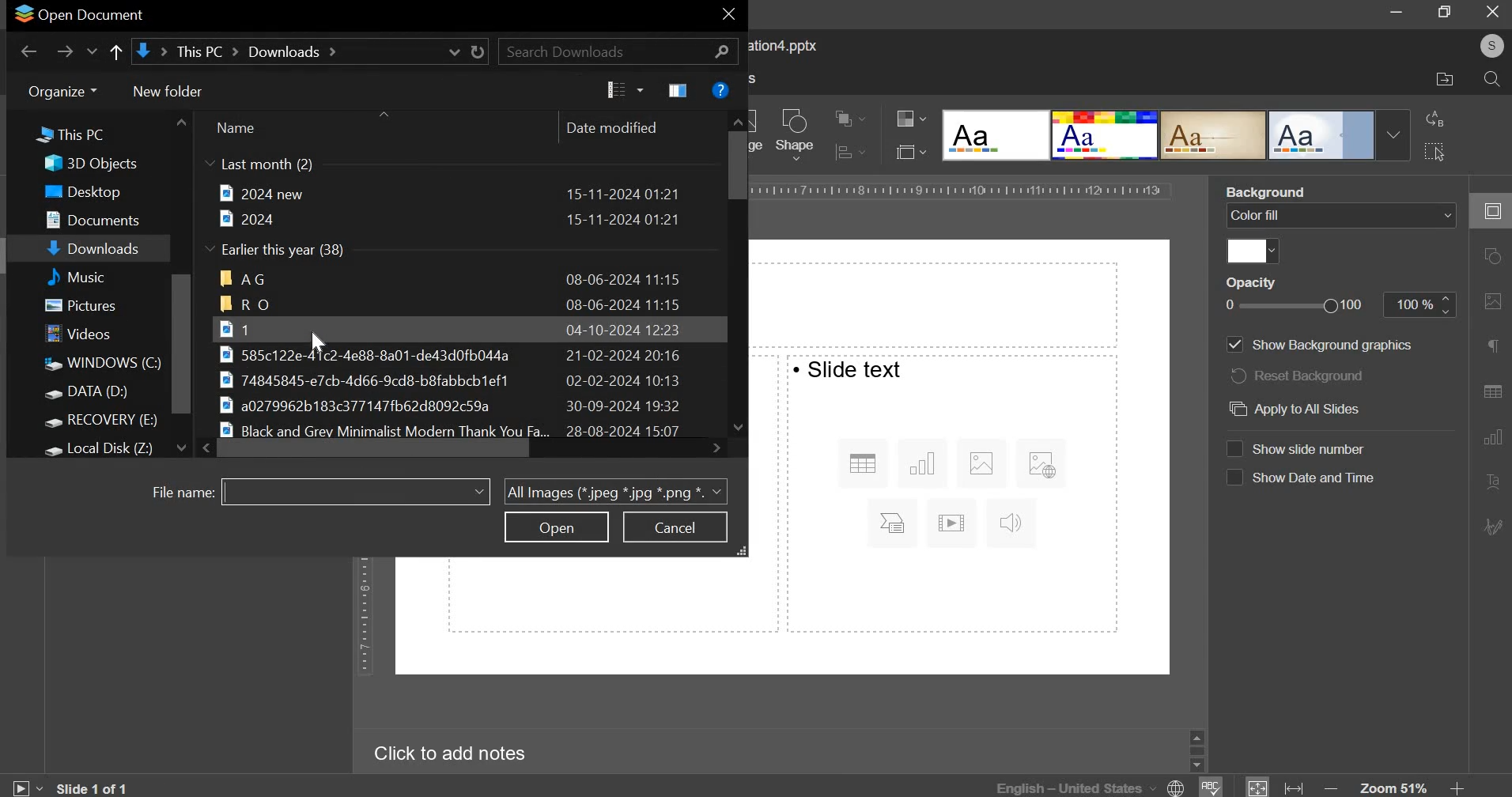 The height and width of the screenshot is (797, 1512). Describe the element at coordinates (112, 447) in the screenshot. I see `z drive` at that location.